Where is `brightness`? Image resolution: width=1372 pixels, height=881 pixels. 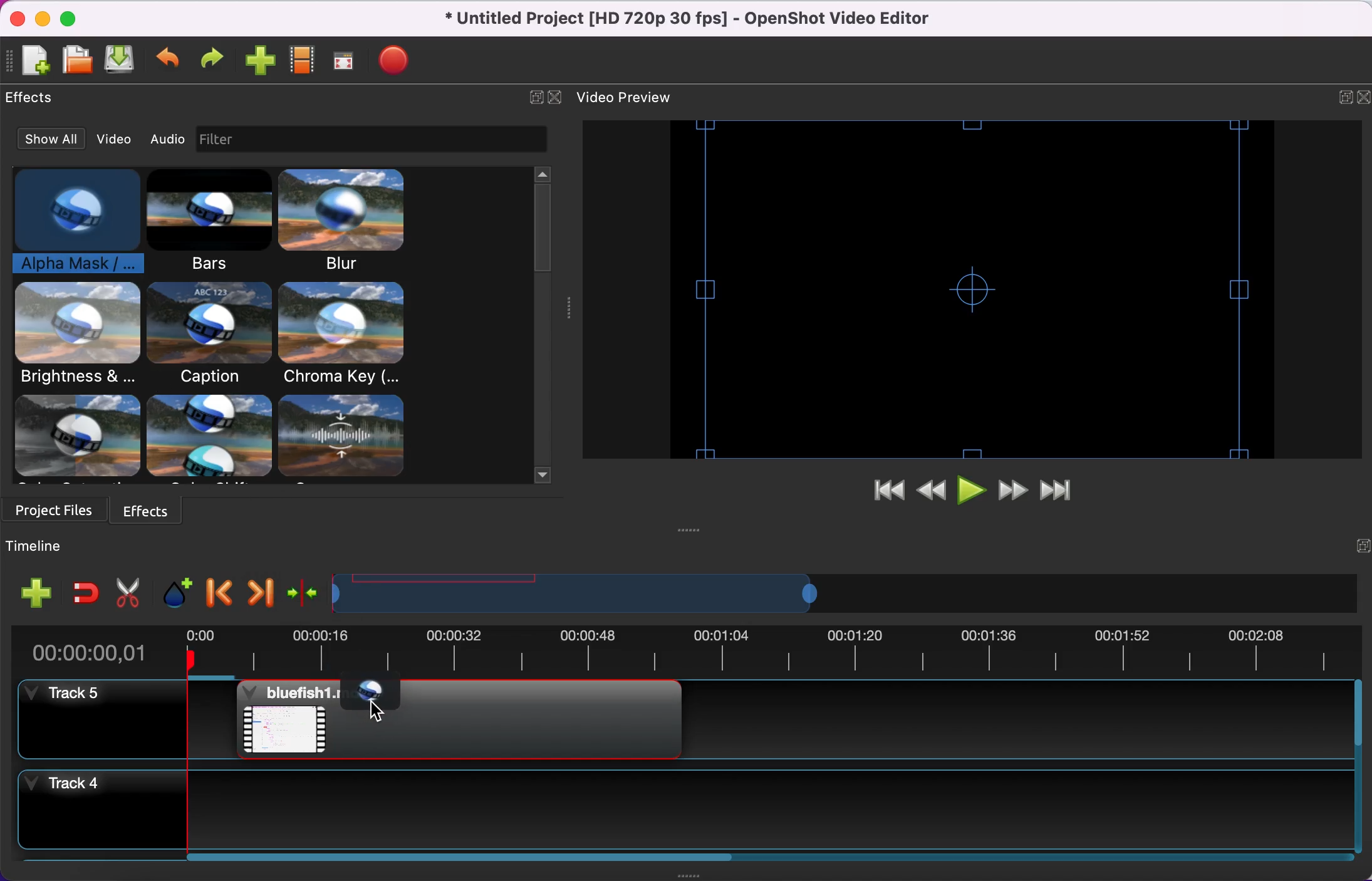
brightness is located at coordinates (78, 336).